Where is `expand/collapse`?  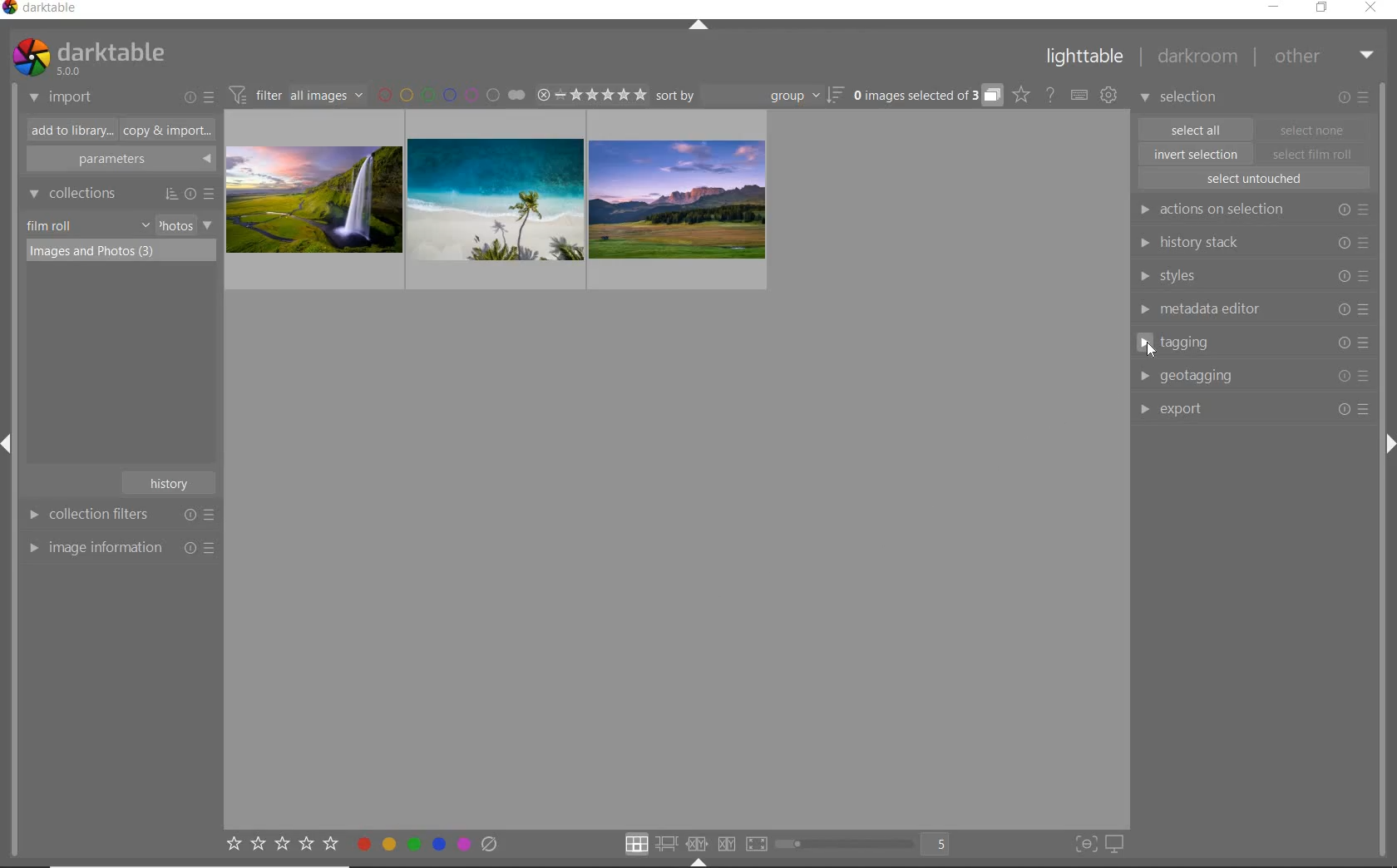
expand/collapse is located at coordinates (698, 27).